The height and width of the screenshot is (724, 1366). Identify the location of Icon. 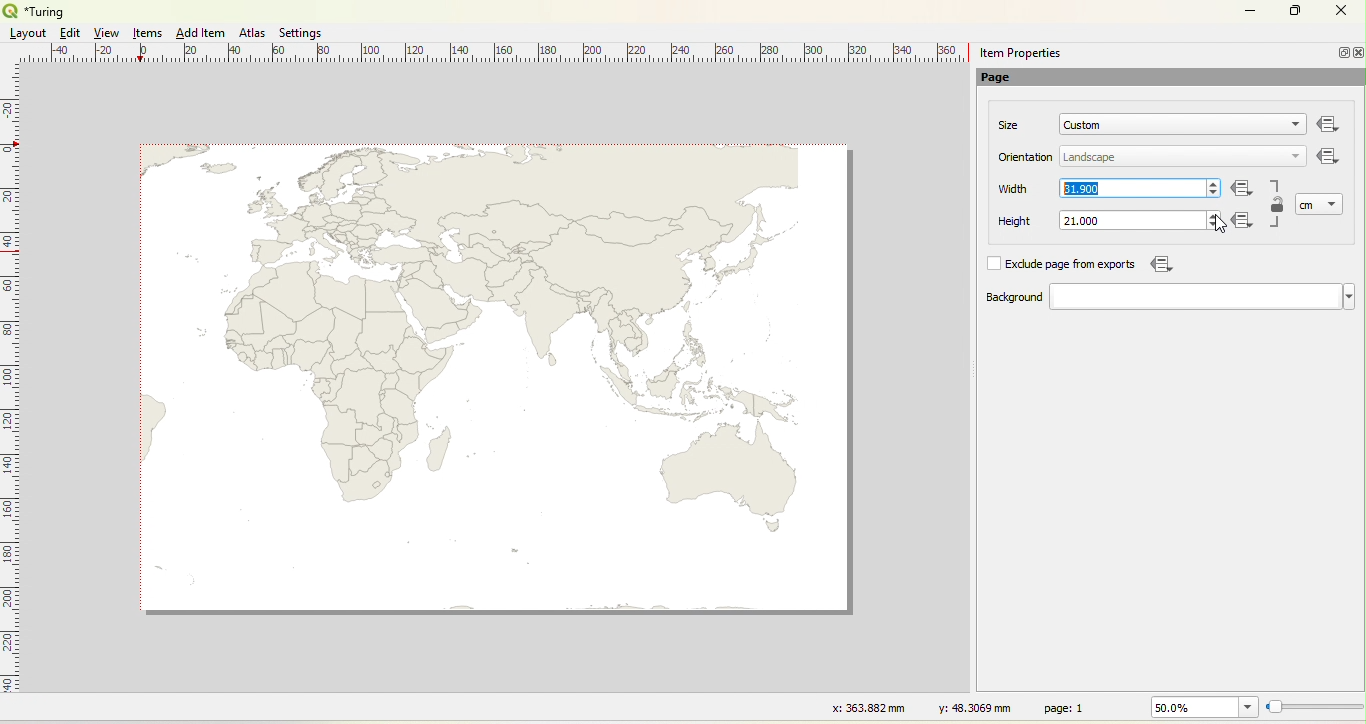
(1329, 158).